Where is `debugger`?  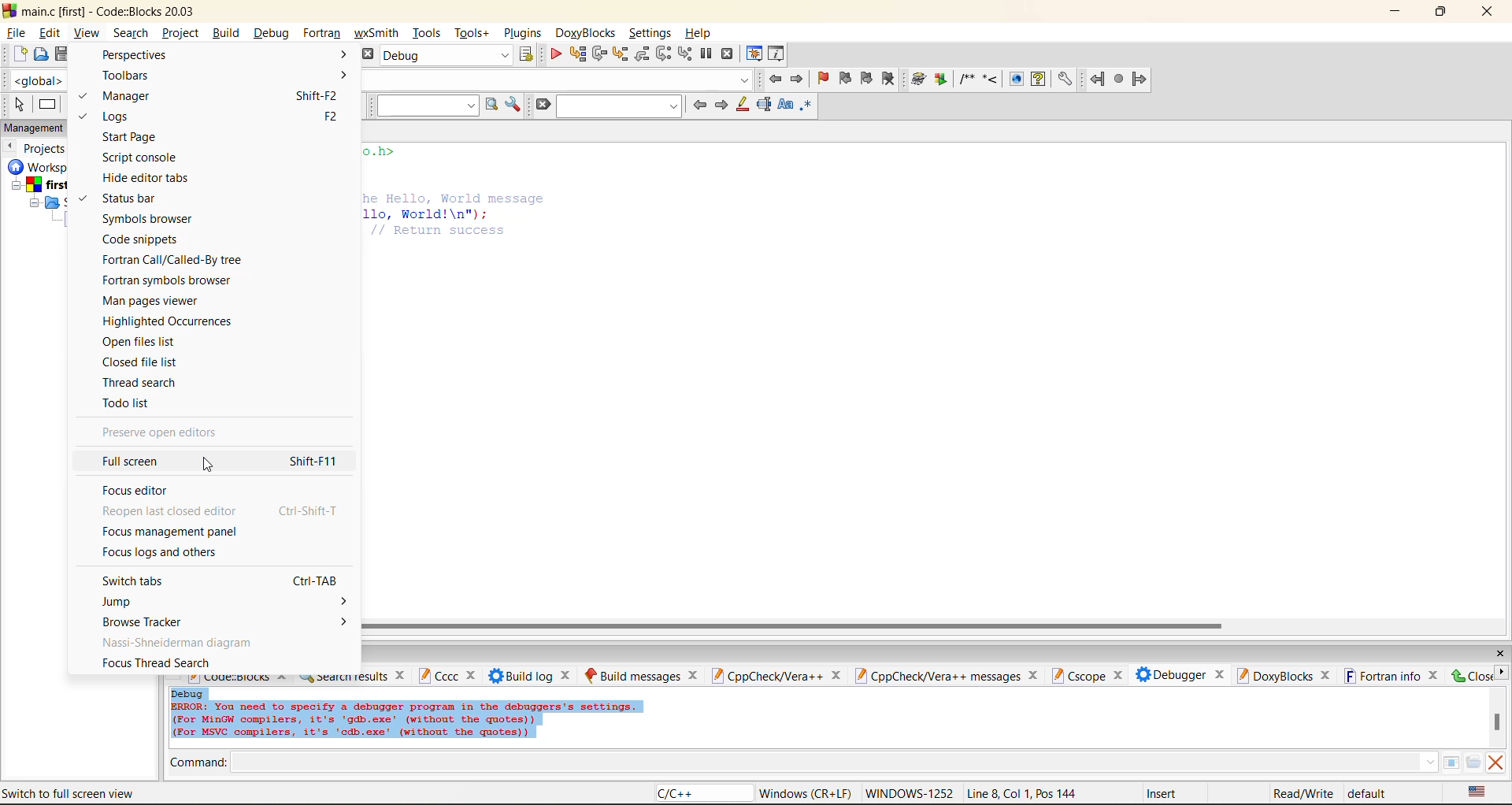 debugger is located at coordinates (1173, 674).